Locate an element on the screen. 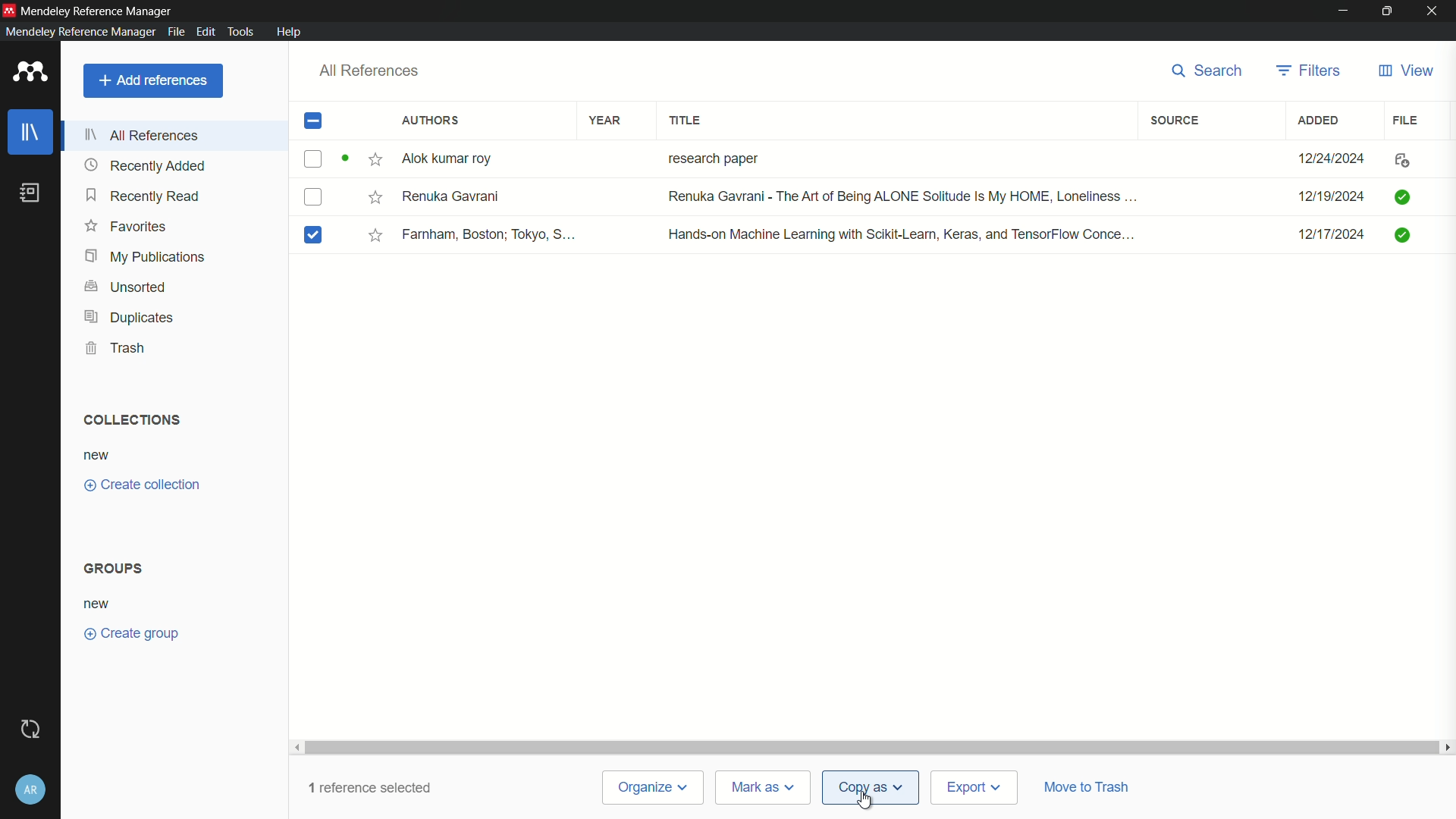 The height and width of the screenshot is (819, 1456). copy as is located at coordinates (870, 786).